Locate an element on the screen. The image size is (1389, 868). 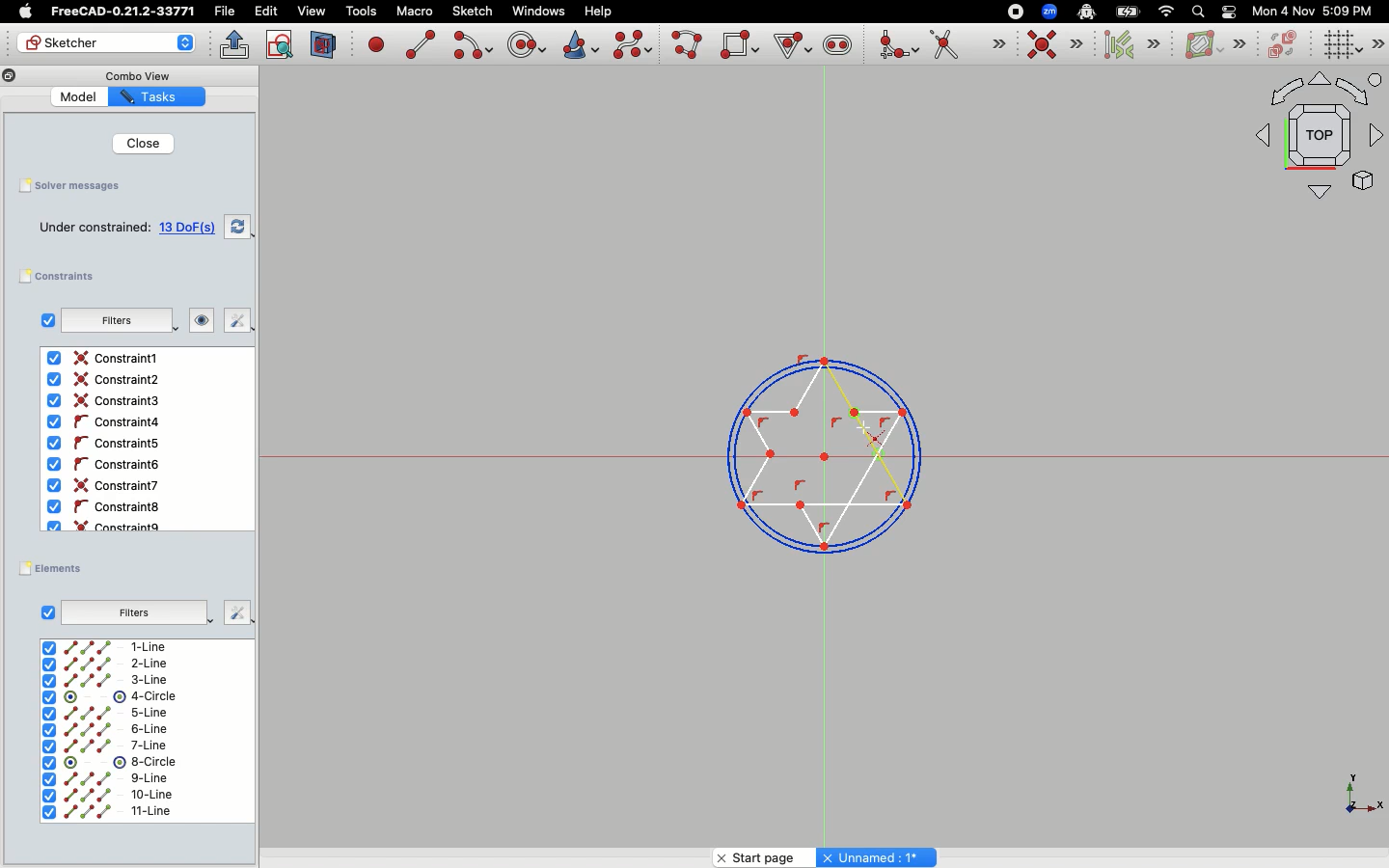
Select associated constraints is located at coordinates (1129, 44).